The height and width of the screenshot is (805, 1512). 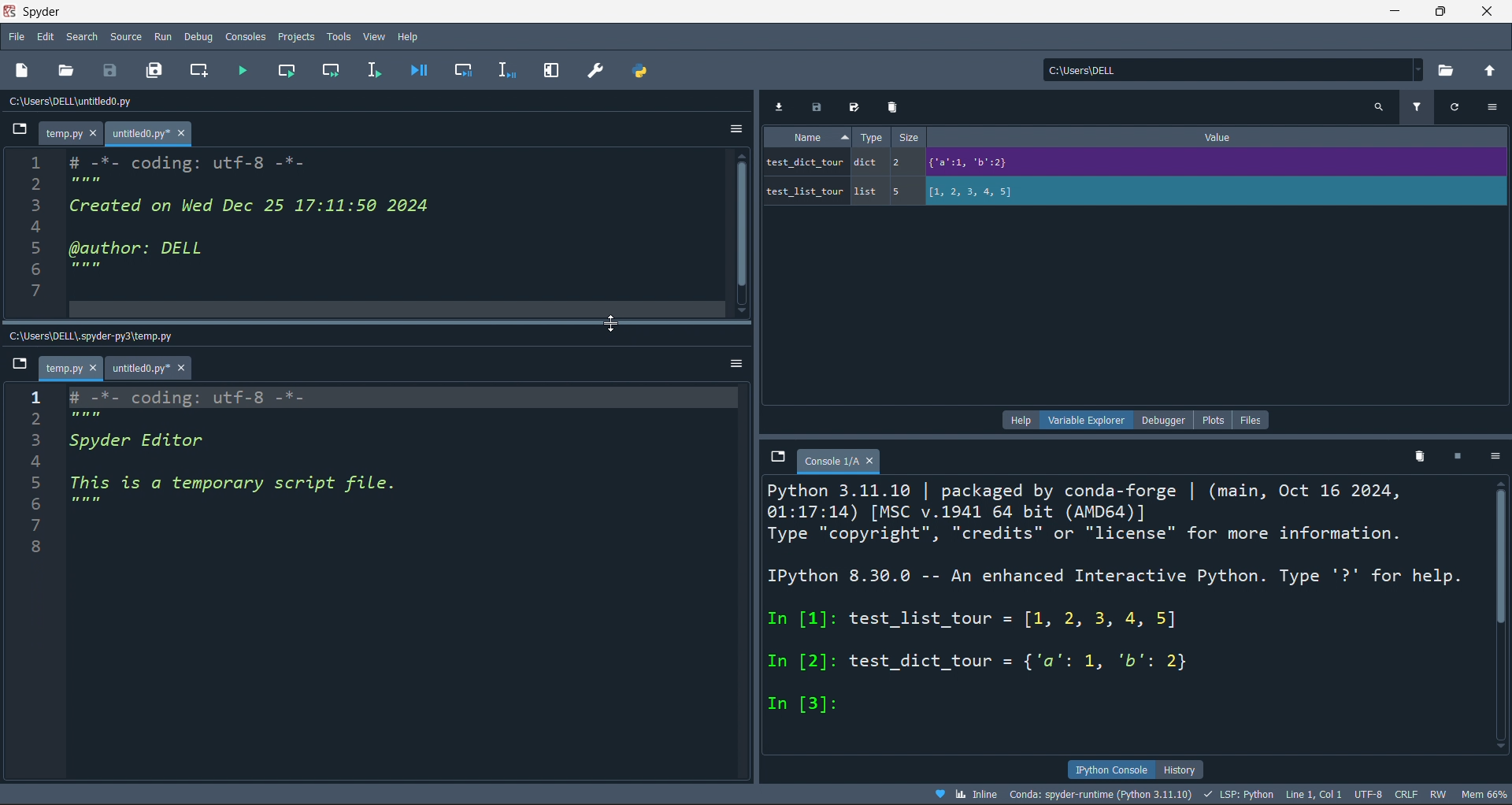 What do you see at coordinates (1495, 457) in the screenshot?
I see `options` at bounding box center [1495, 457].